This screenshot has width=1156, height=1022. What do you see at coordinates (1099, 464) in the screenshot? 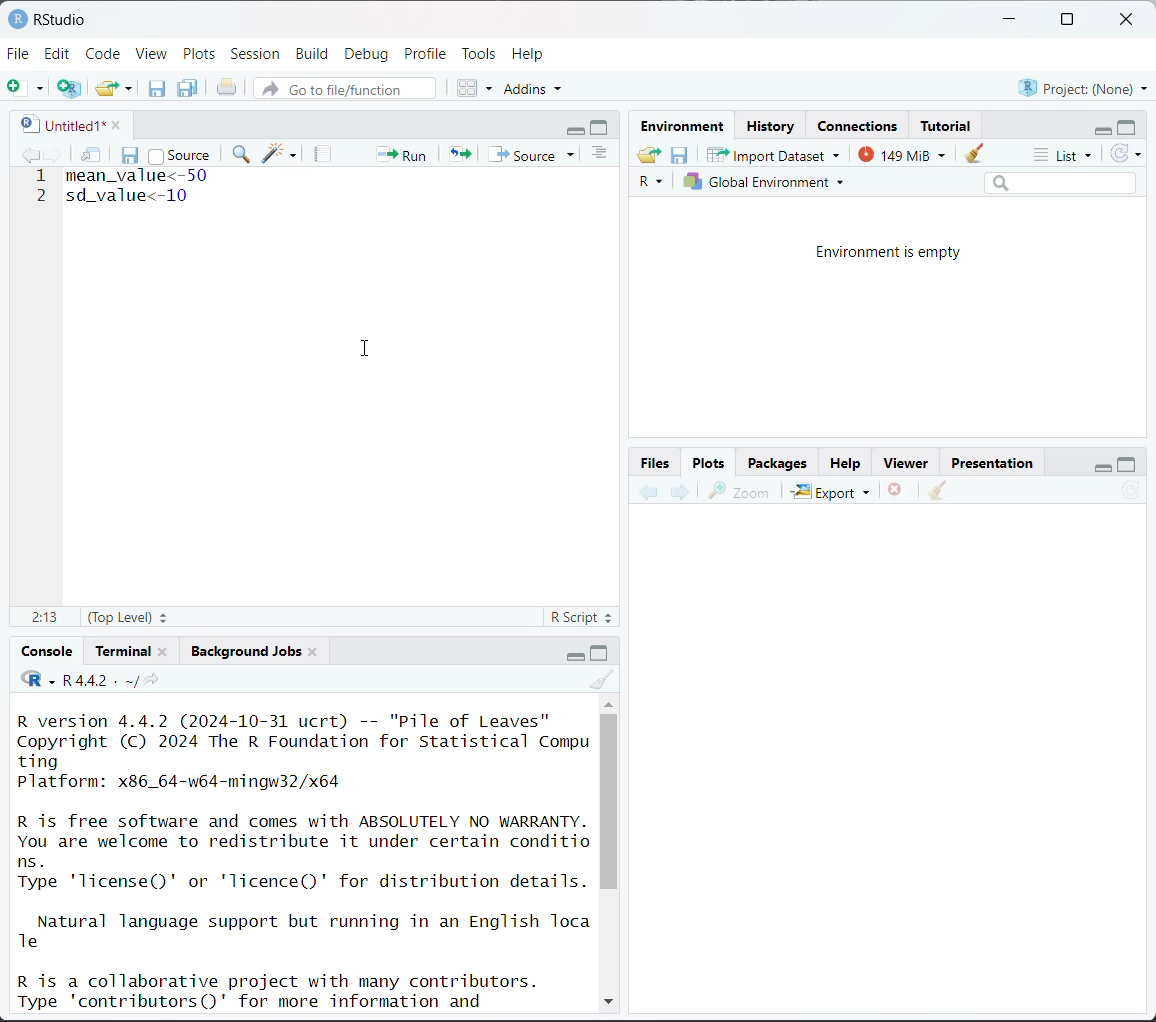
I see `minimize` at bounding box center [1099, 464].